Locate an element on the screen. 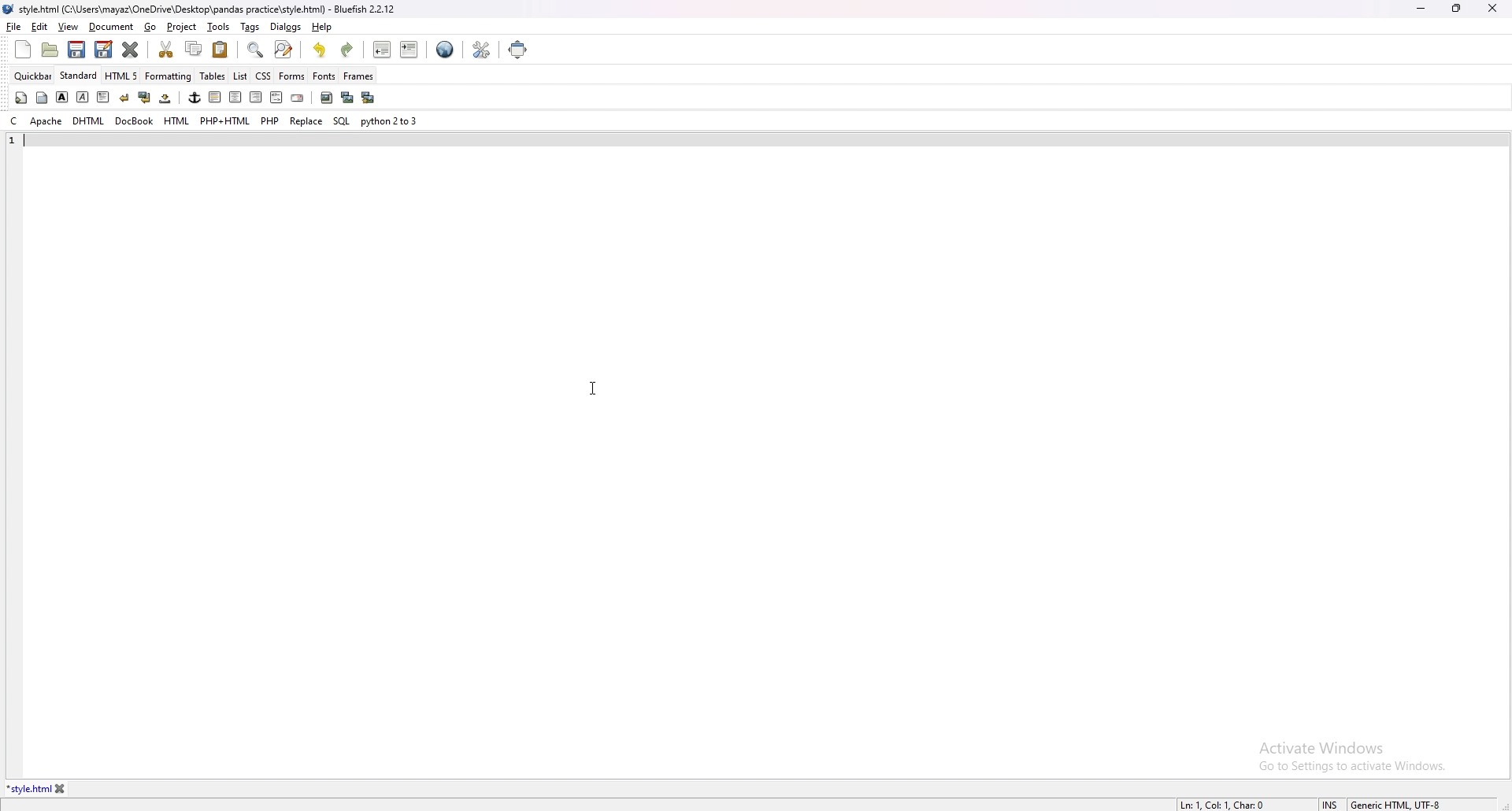  edit preference is located at coordinates (480, 49).